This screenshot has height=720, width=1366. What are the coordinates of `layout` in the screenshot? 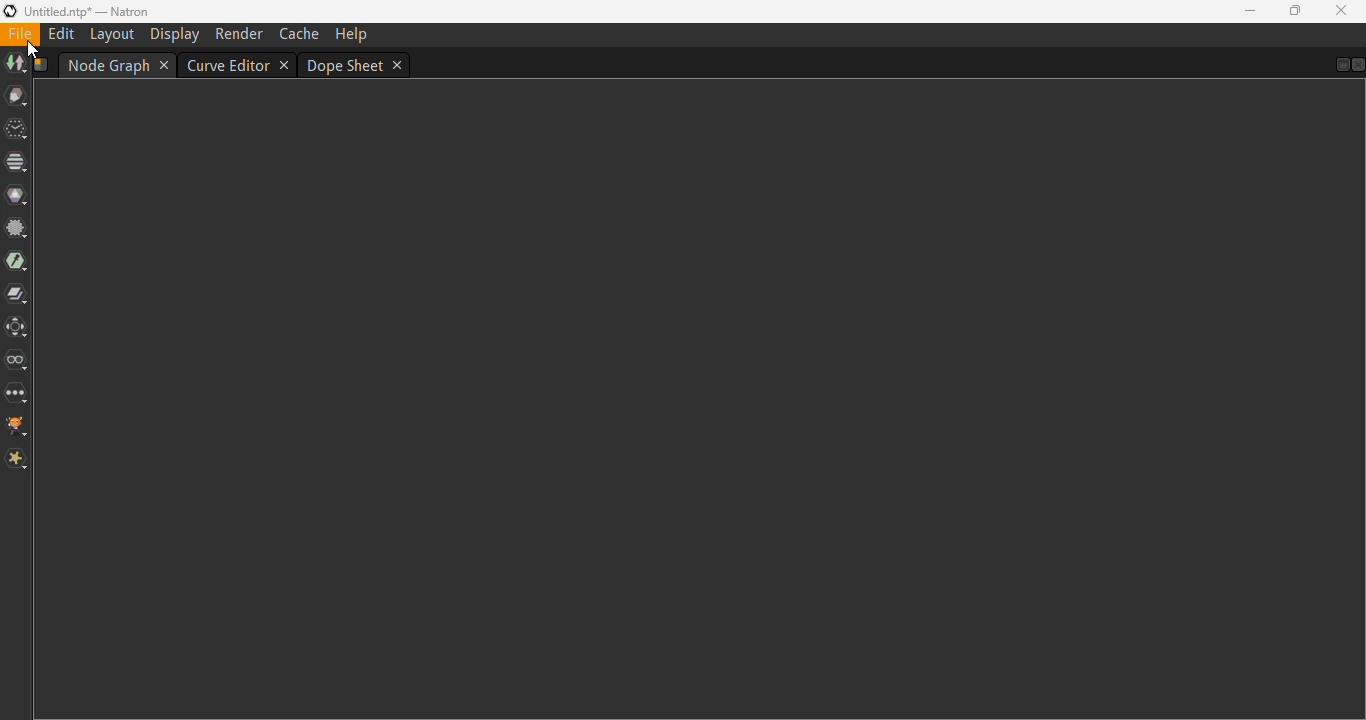 It's located at (112, 35).